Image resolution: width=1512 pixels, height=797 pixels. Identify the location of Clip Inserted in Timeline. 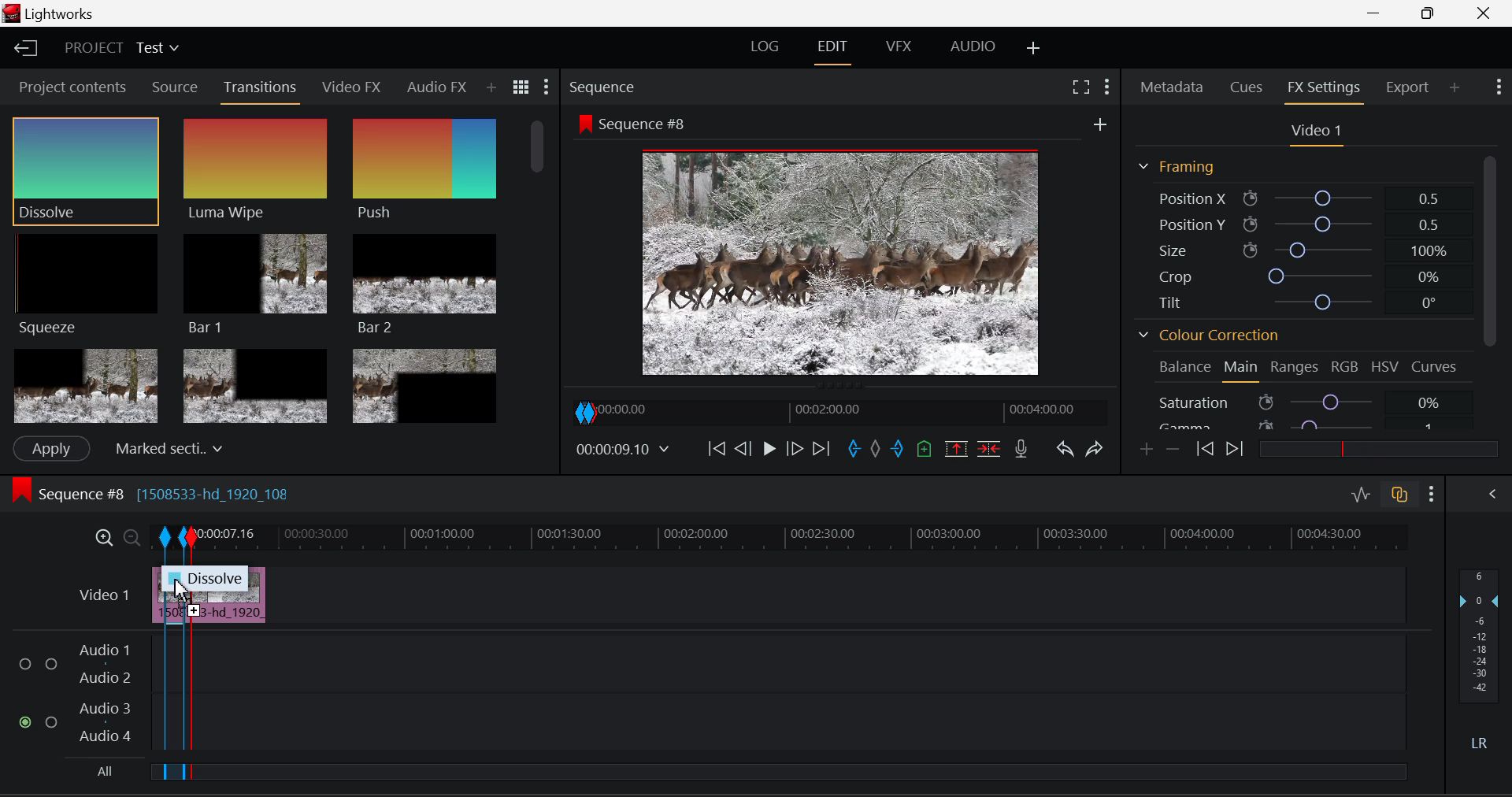
(231, 607).